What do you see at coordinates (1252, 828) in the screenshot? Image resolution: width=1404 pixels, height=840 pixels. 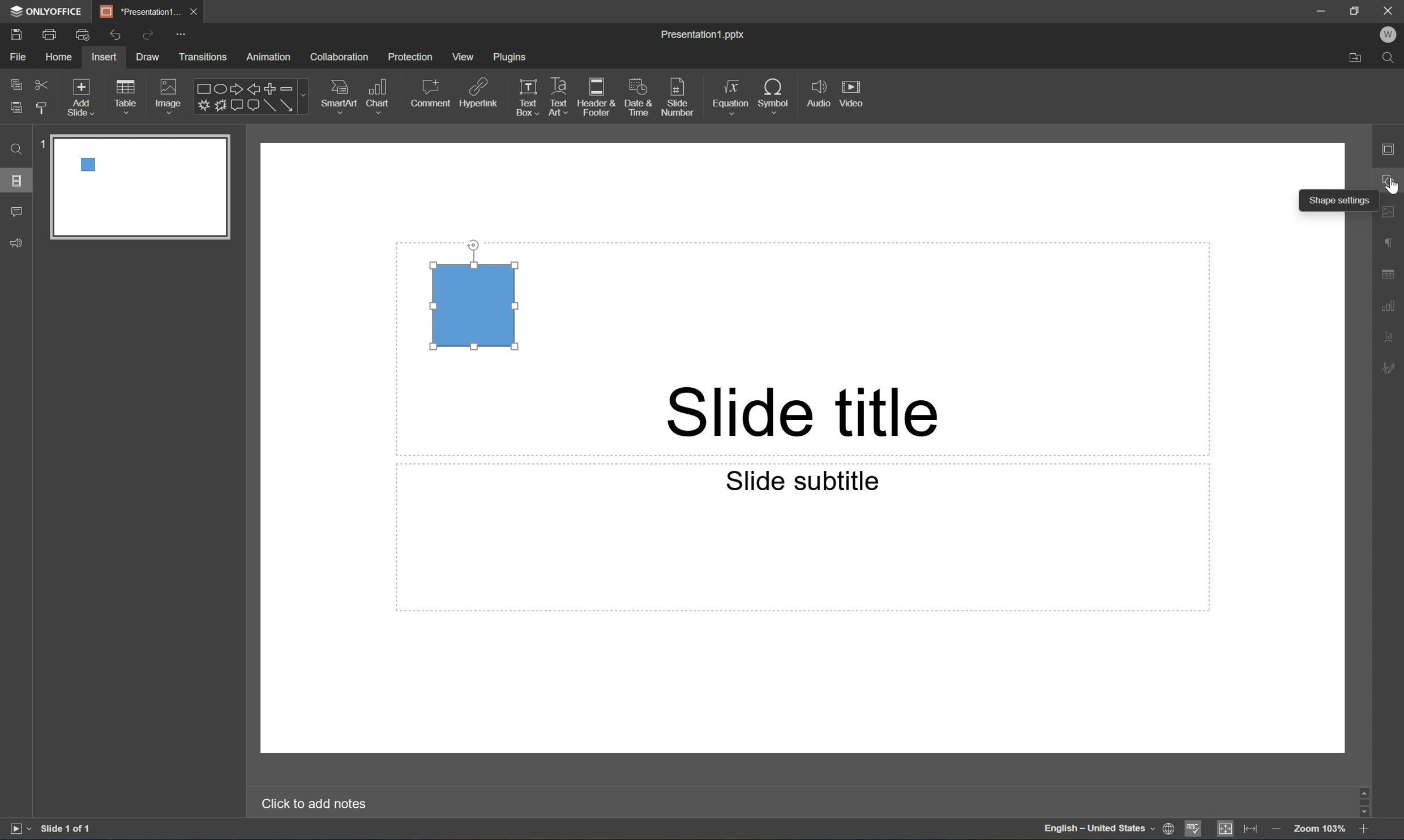 I see `Fit to width` at bounding box center [1252, 828].